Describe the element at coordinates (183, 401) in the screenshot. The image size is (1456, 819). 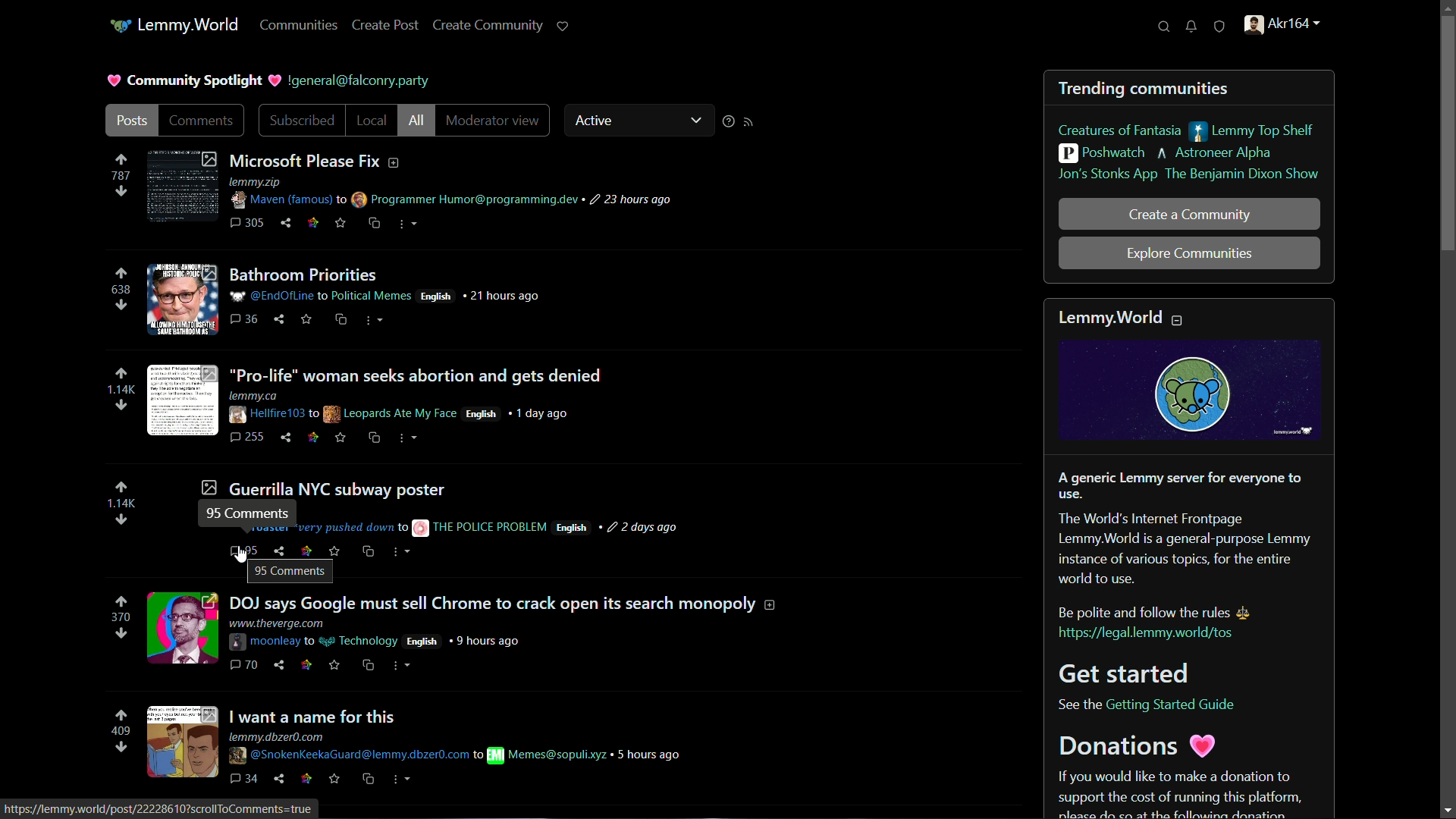
I see `post image` at that location.